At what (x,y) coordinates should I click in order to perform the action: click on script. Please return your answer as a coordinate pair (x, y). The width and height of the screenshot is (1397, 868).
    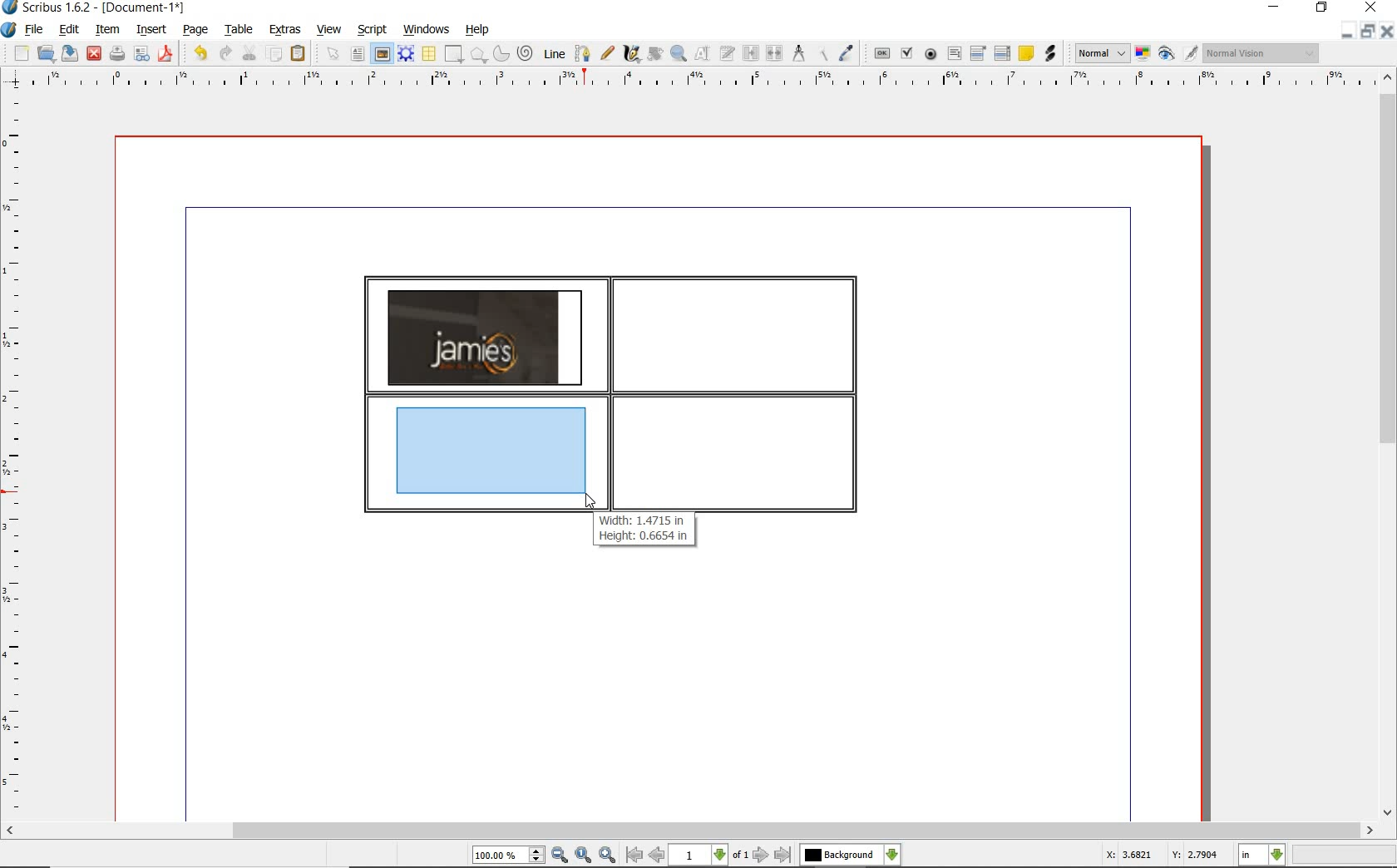
    Looking at the image, I should click on (373, 30).